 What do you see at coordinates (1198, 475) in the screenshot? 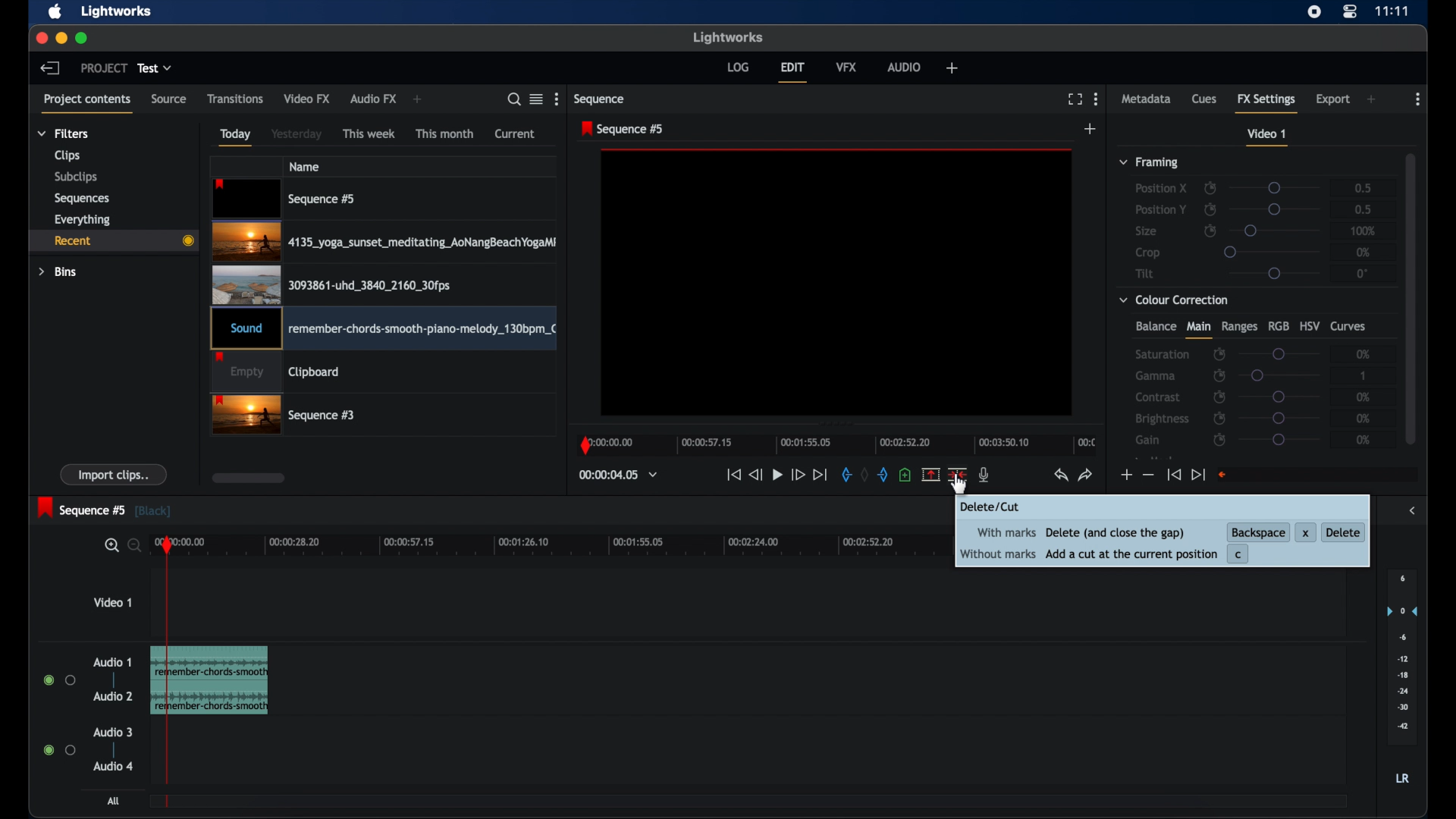
I see `jump to end` at bounding box center [1198, 475].